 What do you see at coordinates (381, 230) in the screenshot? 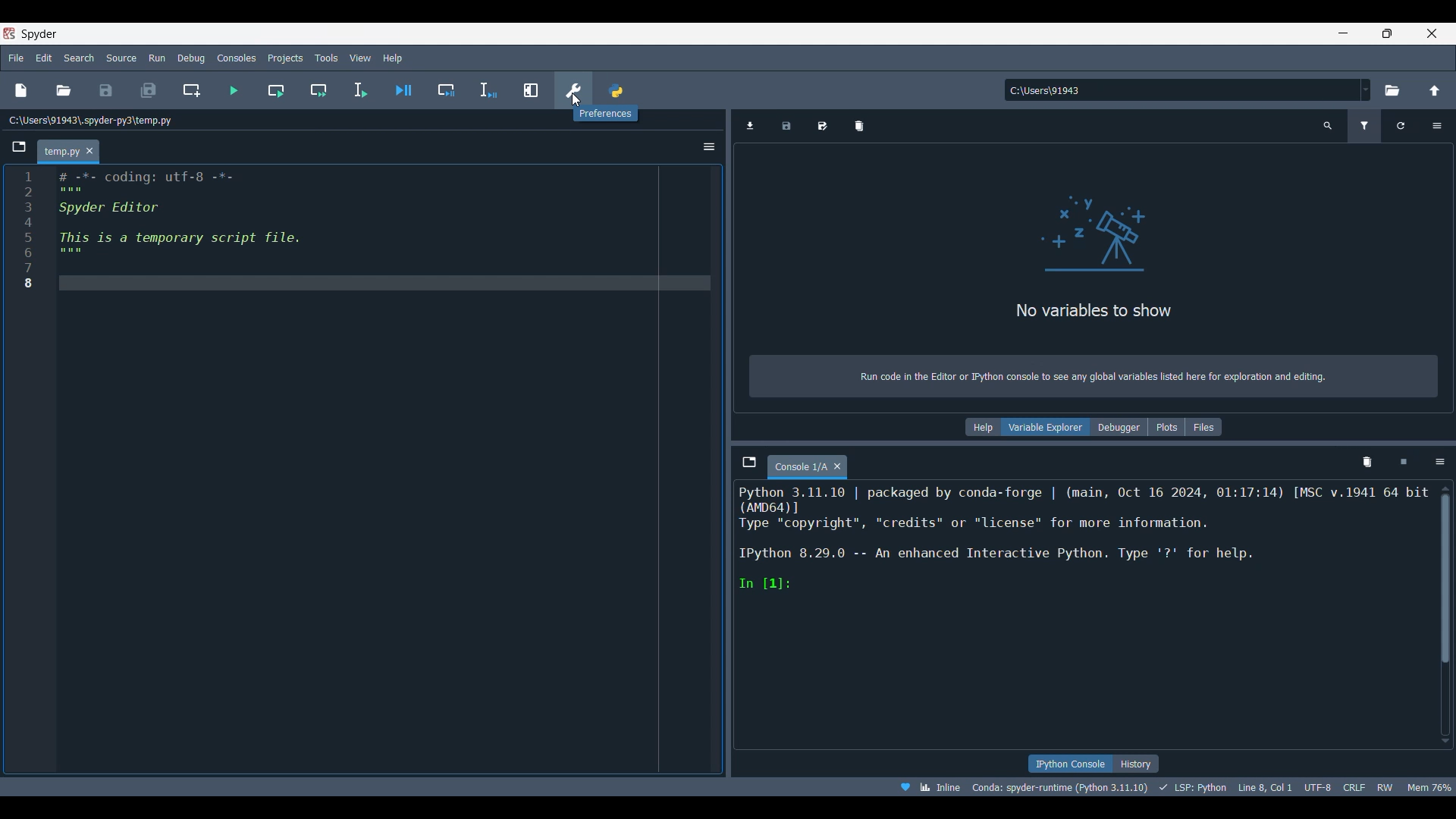
I see `editor pane` at bounding box center [381, 230].